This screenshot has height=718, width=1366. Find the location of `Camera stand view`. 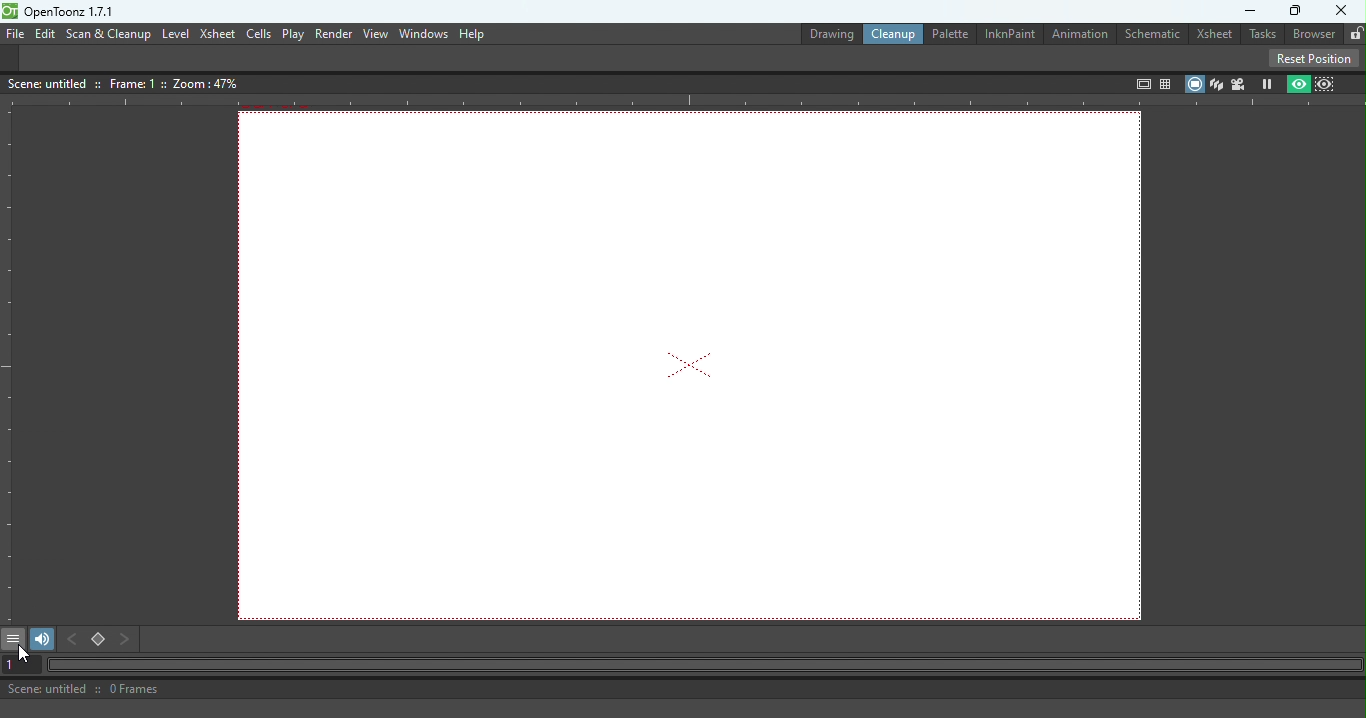

Camera stand view is located at coordinates (1193, 83).